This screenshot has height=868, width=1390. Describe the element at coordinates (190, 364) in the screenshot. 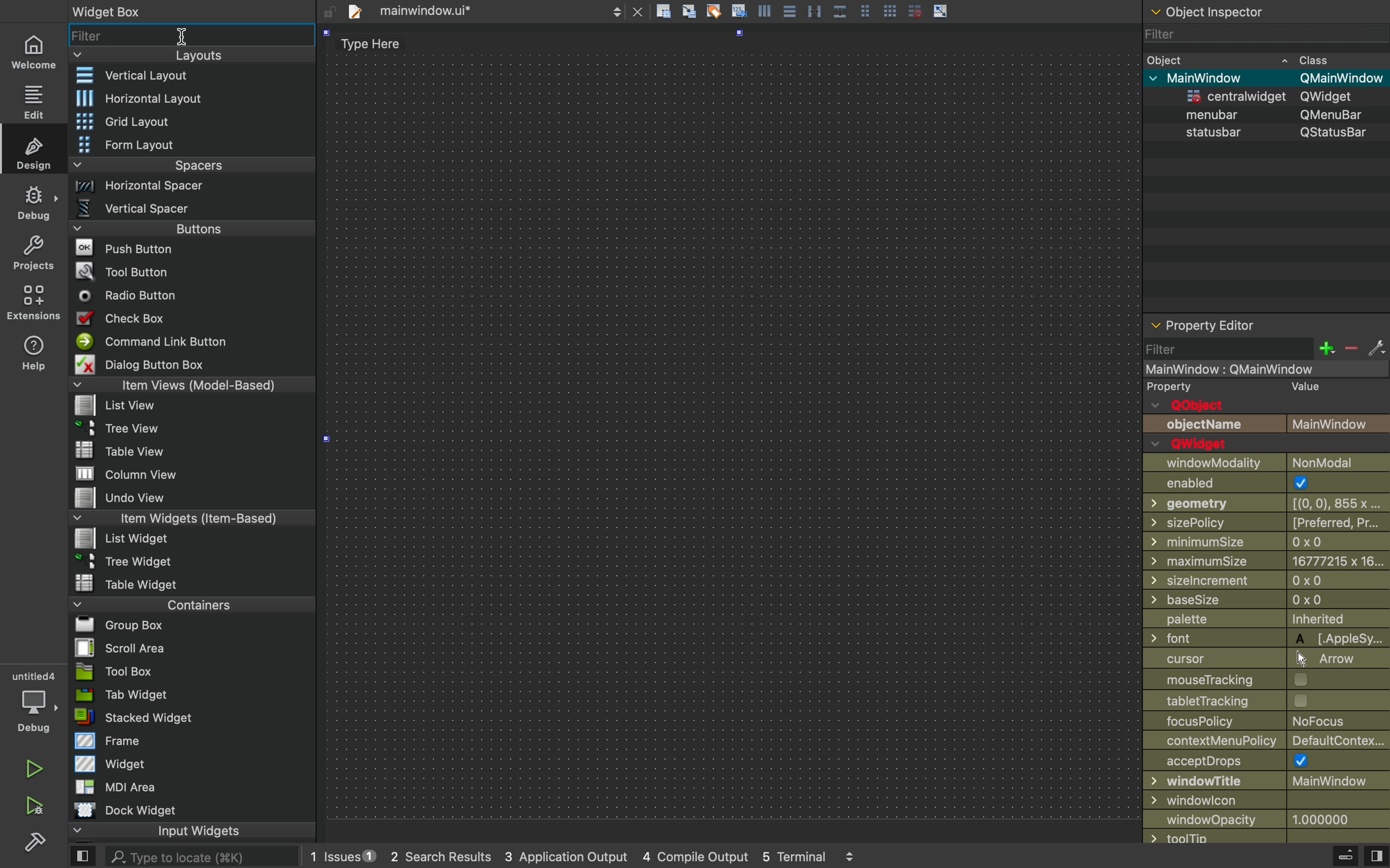

I see `dialog button box` at that location.